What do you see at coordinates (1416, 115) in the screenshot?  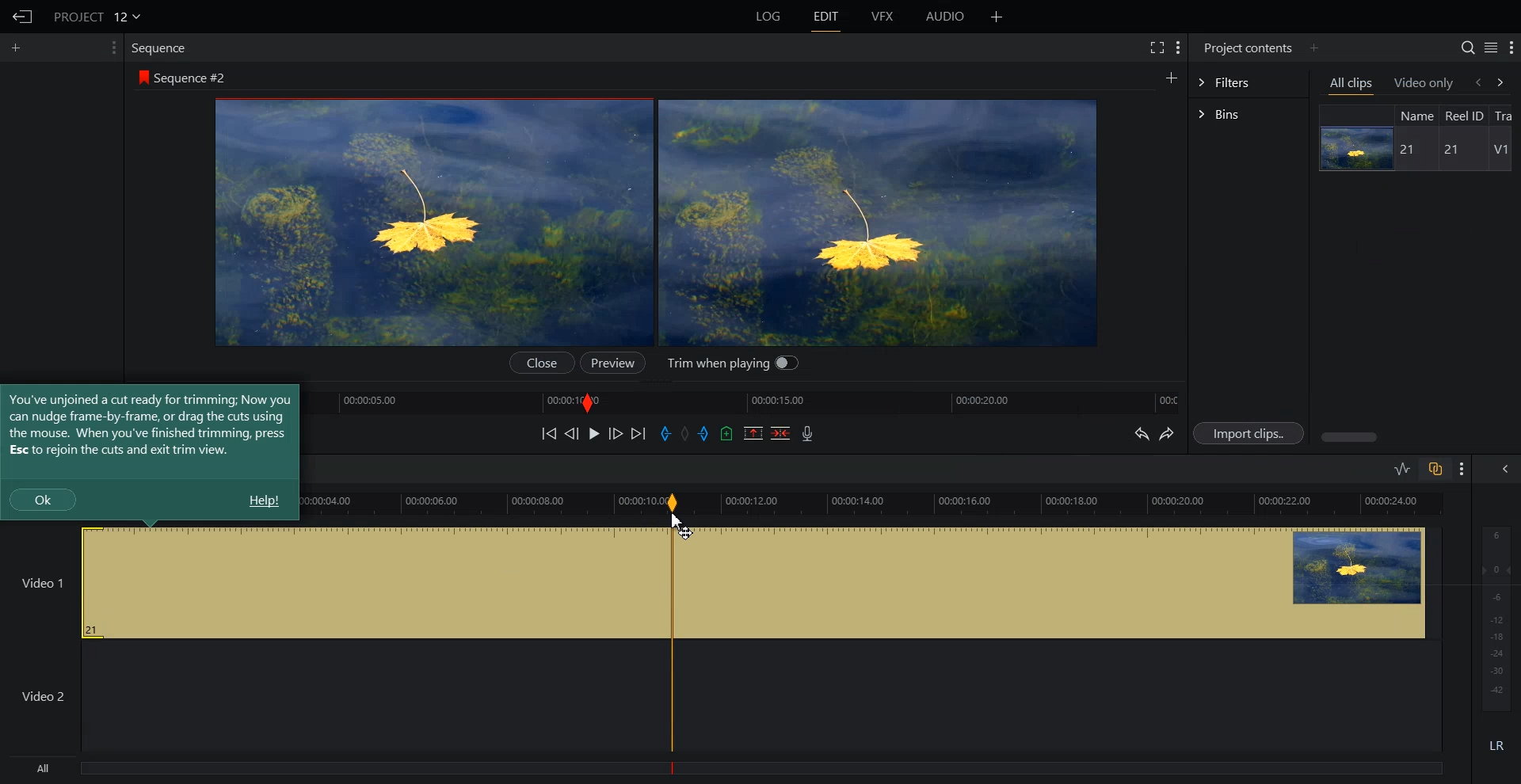 I see `name` at bounding box center [1416, 115].